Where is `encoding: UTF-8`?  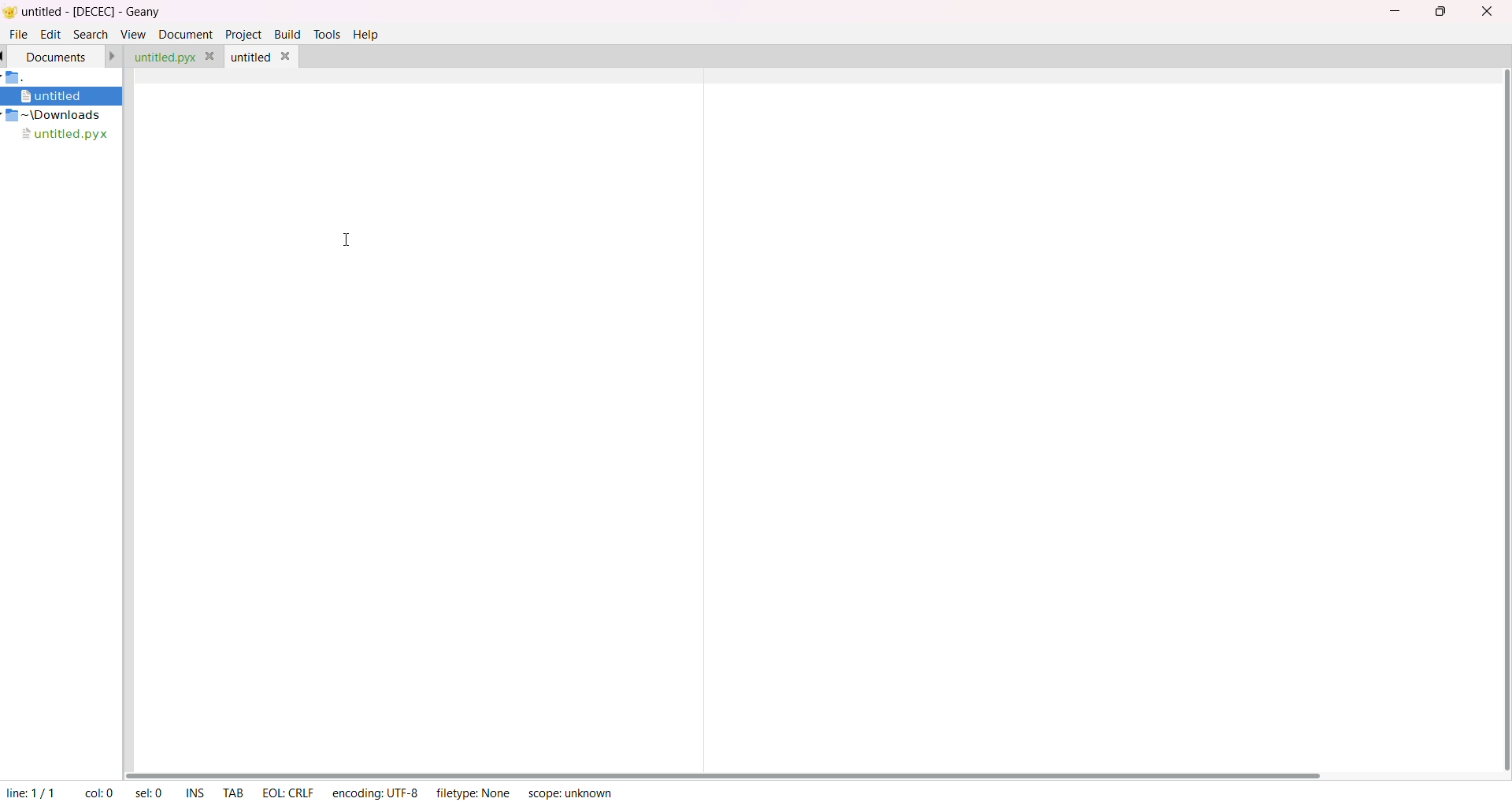
encoding: UTF-8 is located at coordinates (372, 791).